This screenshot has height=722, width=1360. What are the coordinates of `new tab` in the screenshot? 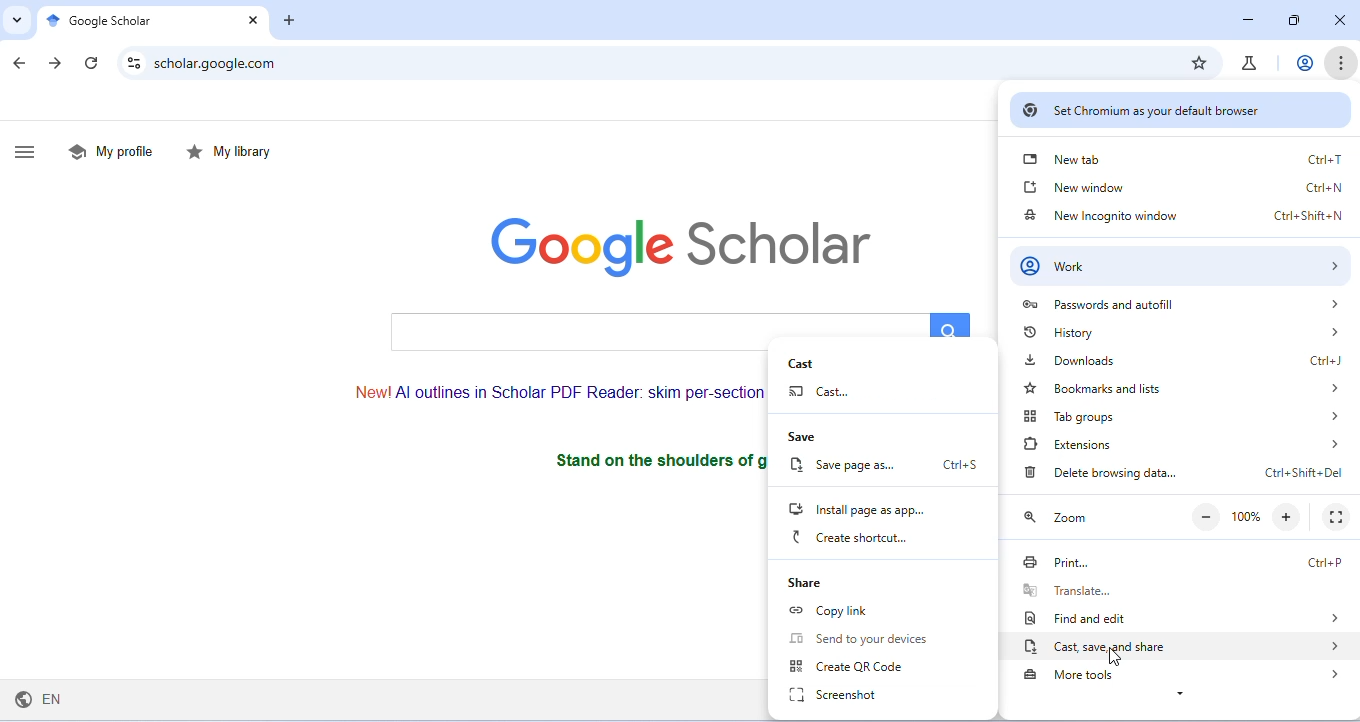 It's located at (1185, 157).